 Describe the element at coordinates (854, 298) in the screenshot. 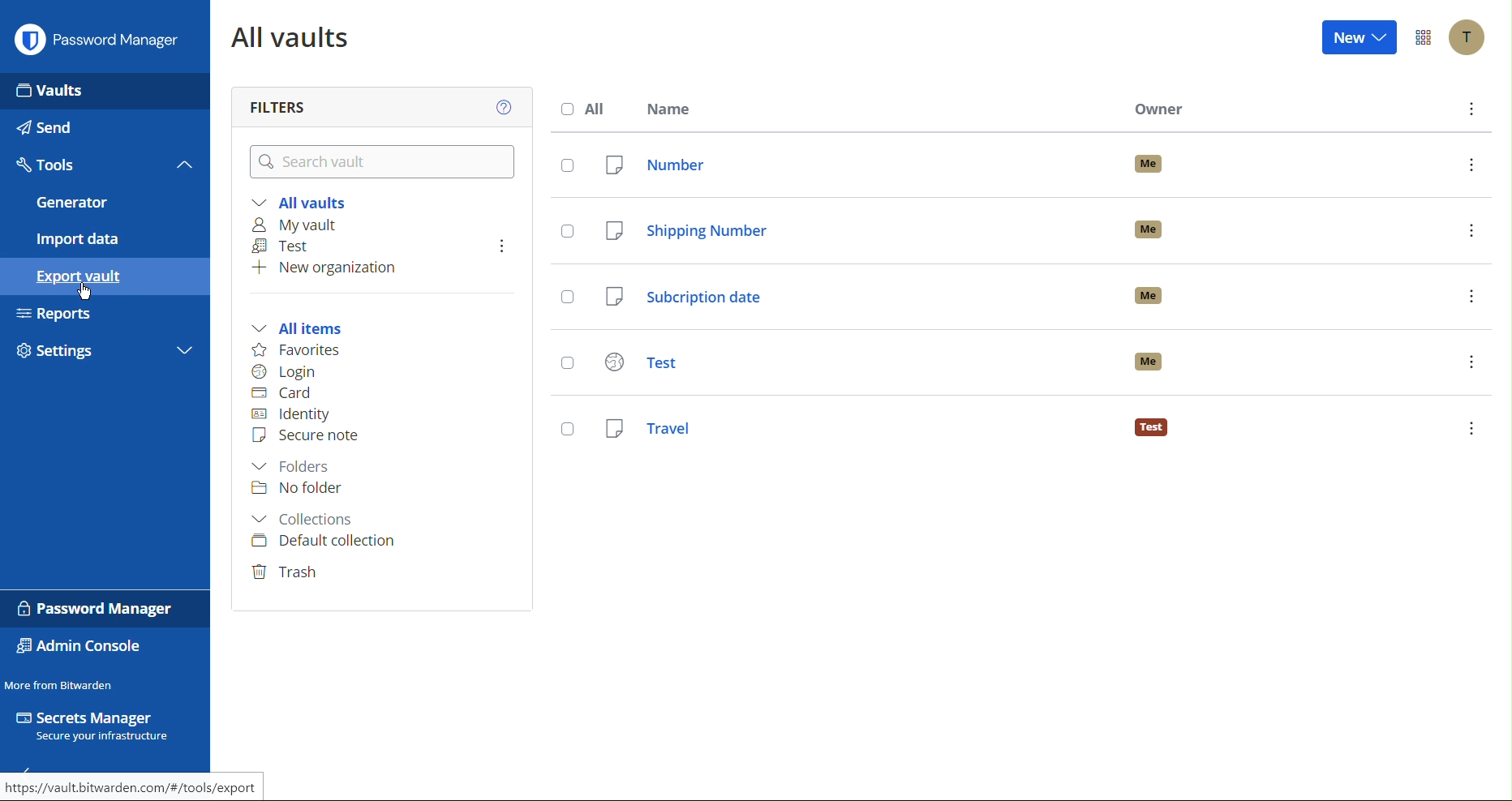

I see `Subscription Date` at that location.